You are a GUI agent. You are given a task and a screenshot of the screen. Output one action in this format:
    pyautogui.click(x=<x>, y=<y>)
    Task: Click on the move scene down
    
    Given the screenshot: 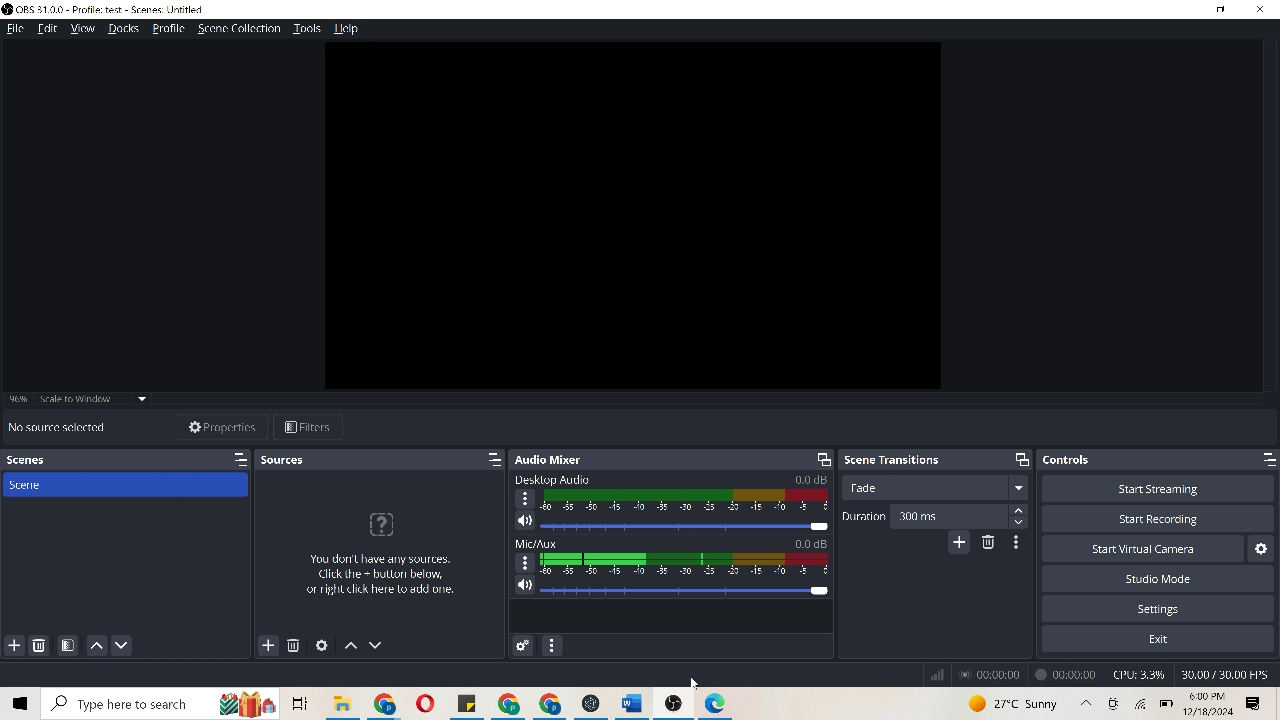 What is the action you would take?
    pyautogui.click(x=128, y=644)
    